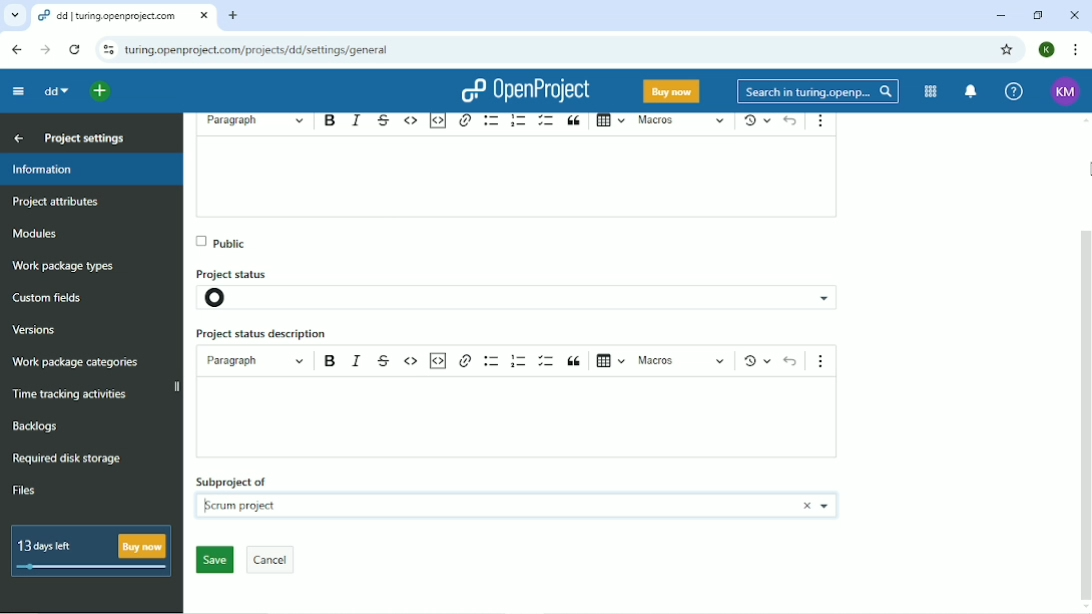  I want to click on Restore down, so click(1038, 16).